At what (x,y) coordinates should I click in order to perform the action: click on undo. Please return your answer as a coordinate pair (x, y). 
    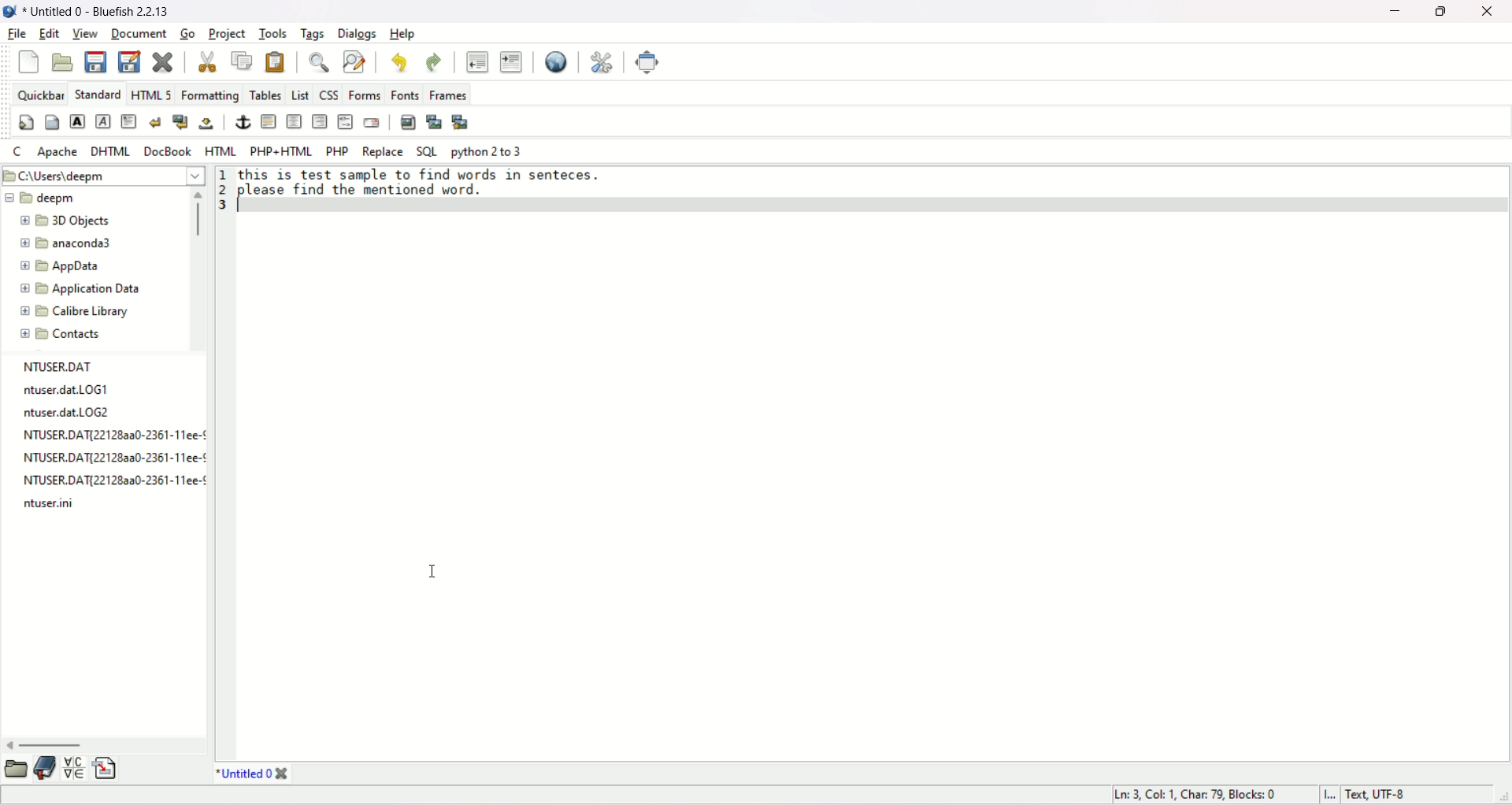
    Looking at the image, I should click on (399, 61).